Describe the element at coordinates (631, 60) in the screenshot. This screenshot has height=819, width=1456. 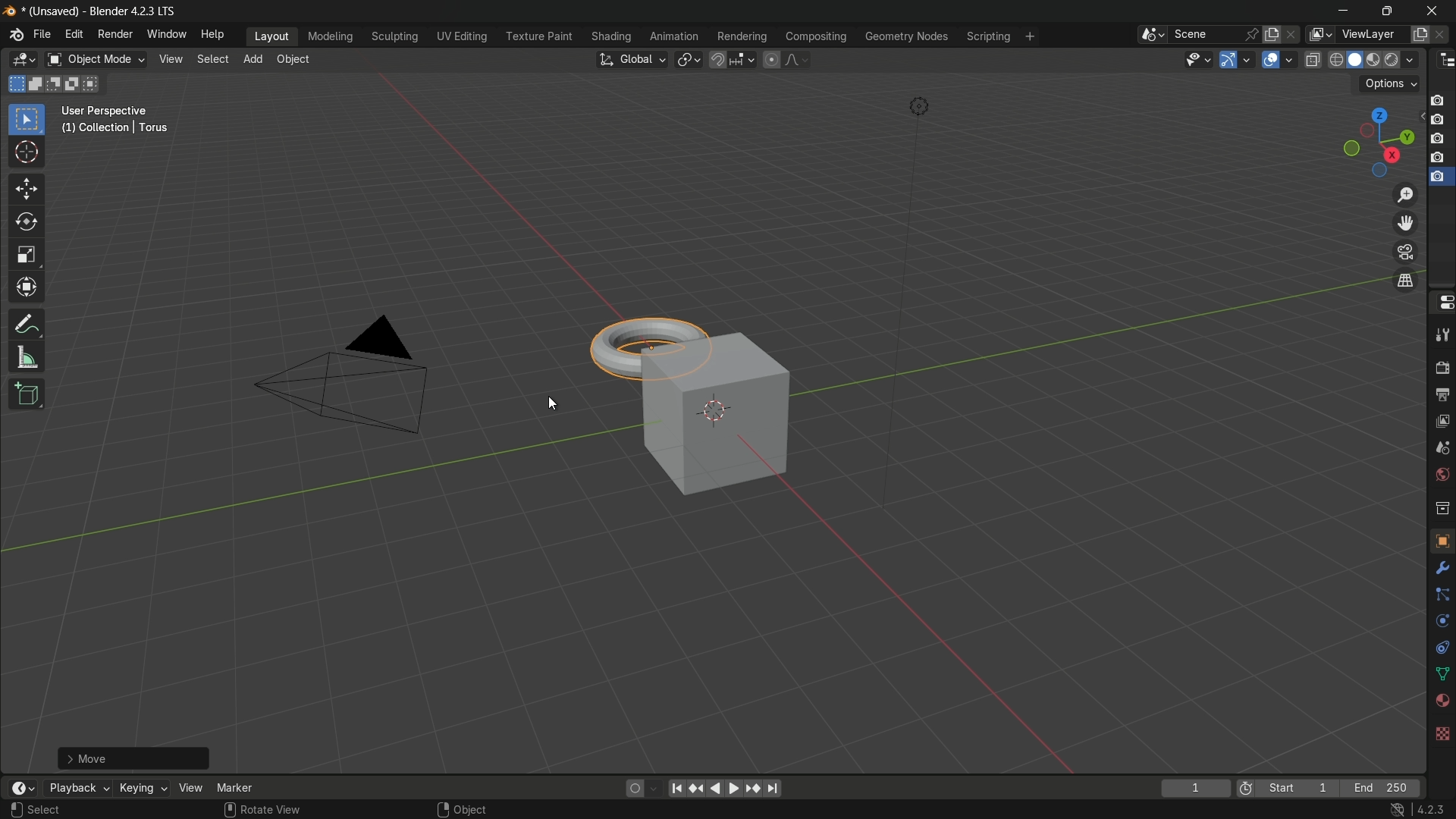
I see `transformation orientation` at that location.